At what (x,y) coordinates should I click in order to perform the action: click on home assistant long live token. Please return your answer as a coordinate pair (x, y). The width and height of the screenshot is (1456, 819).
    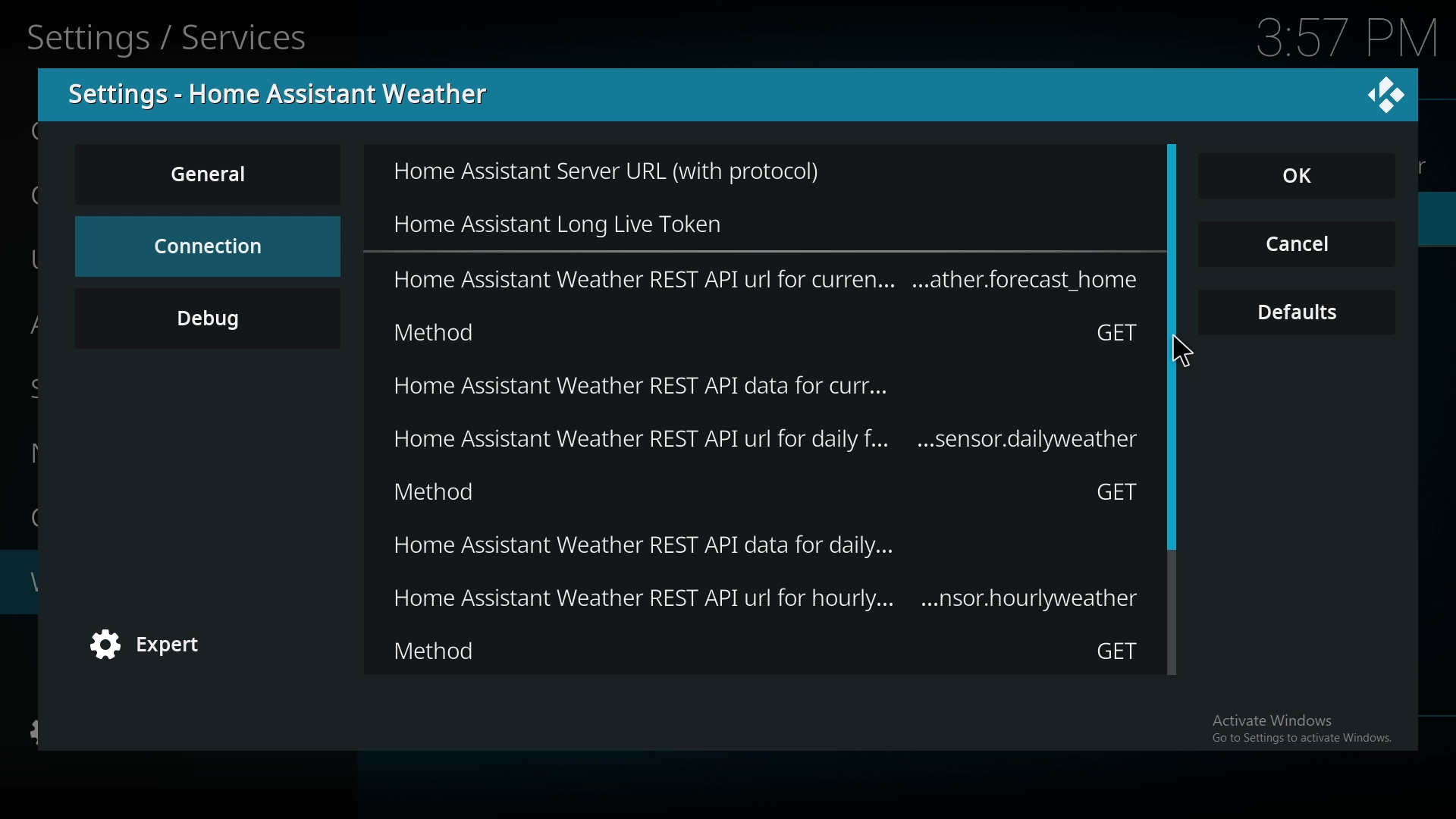
    Looking at the image, I should click on (612, 219).